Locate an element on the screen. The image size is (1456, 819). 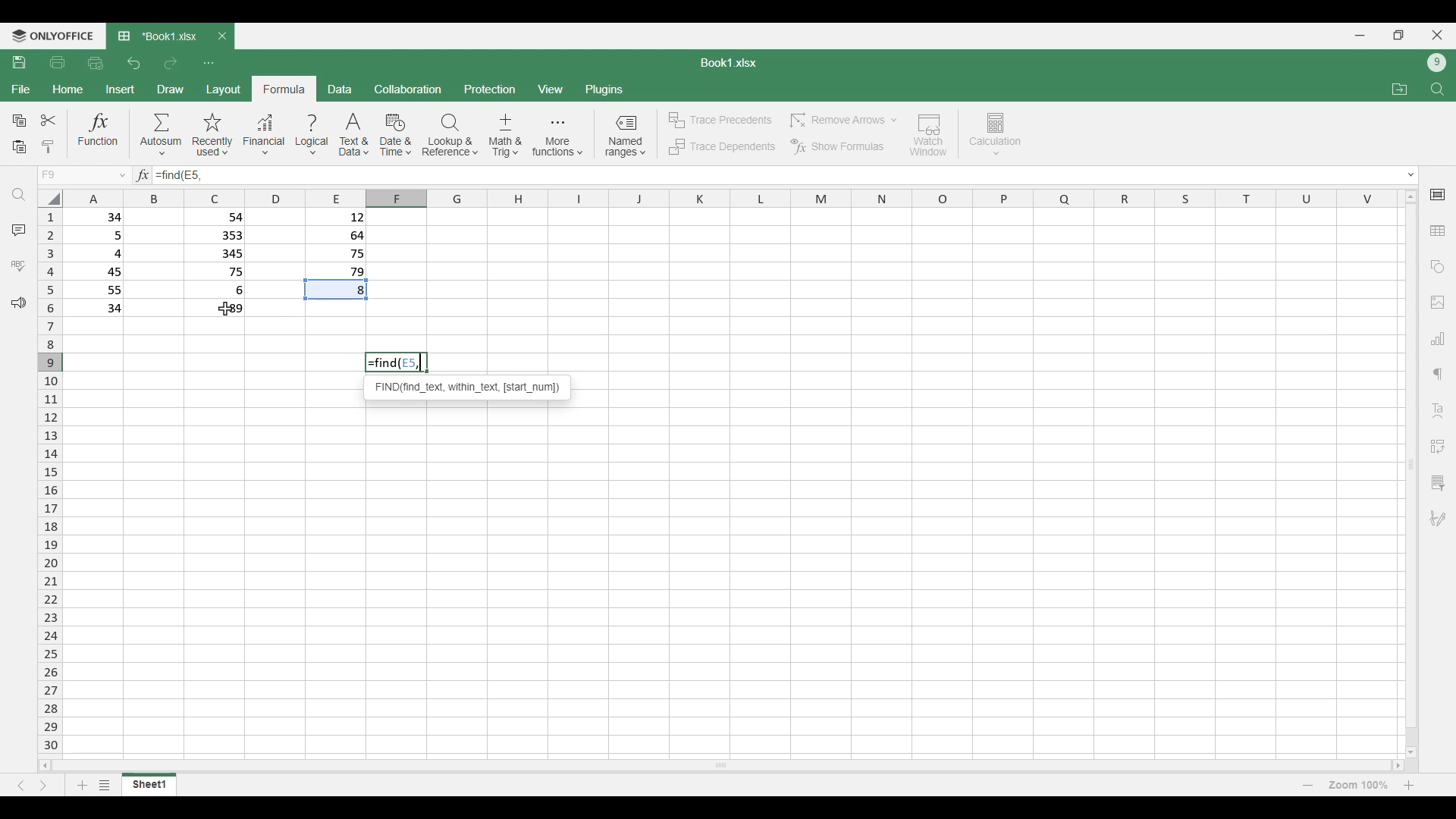
Data menu is located at coordinates (340, 89).